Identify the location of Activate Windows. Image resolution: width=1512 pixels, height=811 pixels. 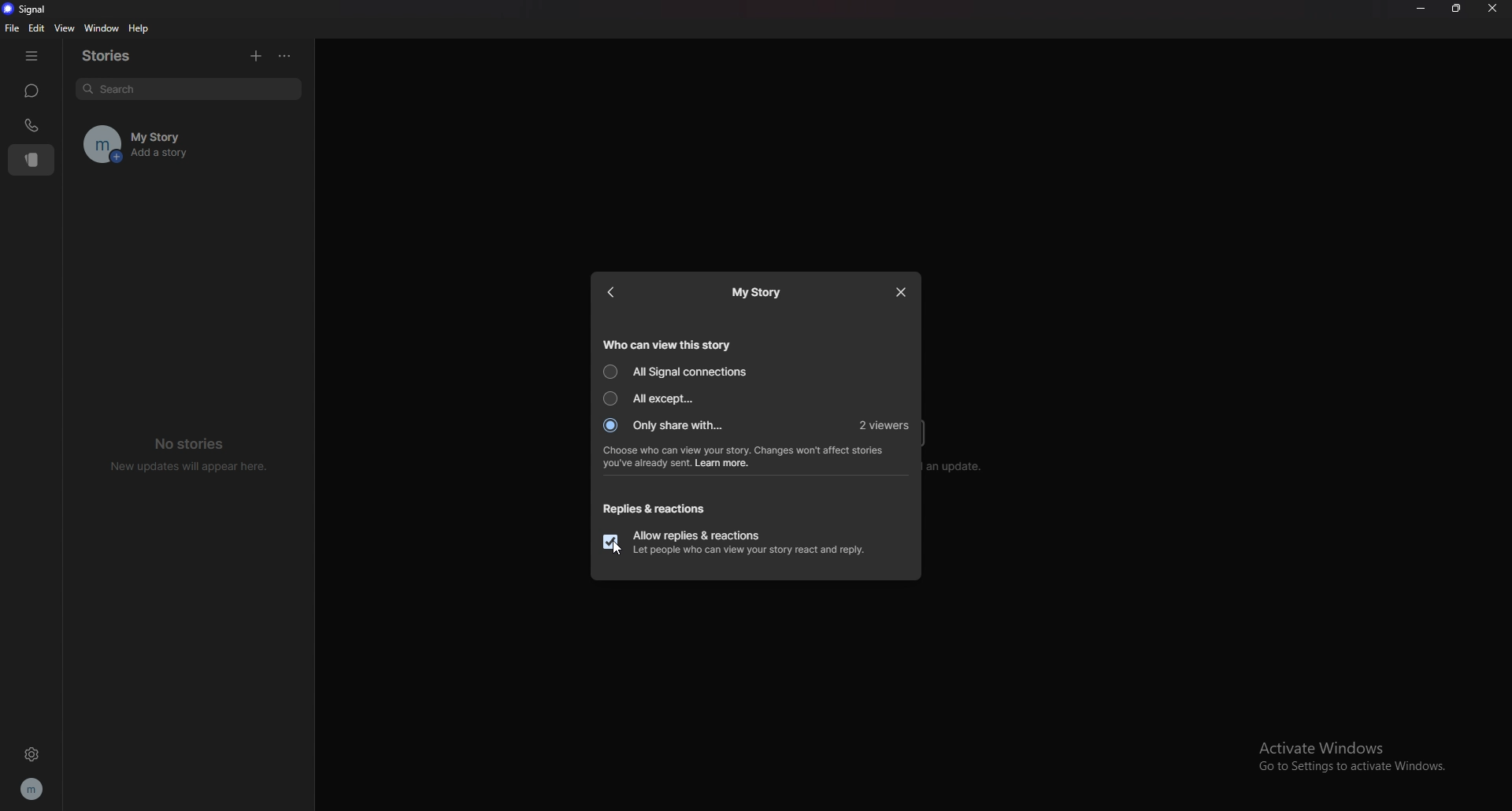
(1340, 745).